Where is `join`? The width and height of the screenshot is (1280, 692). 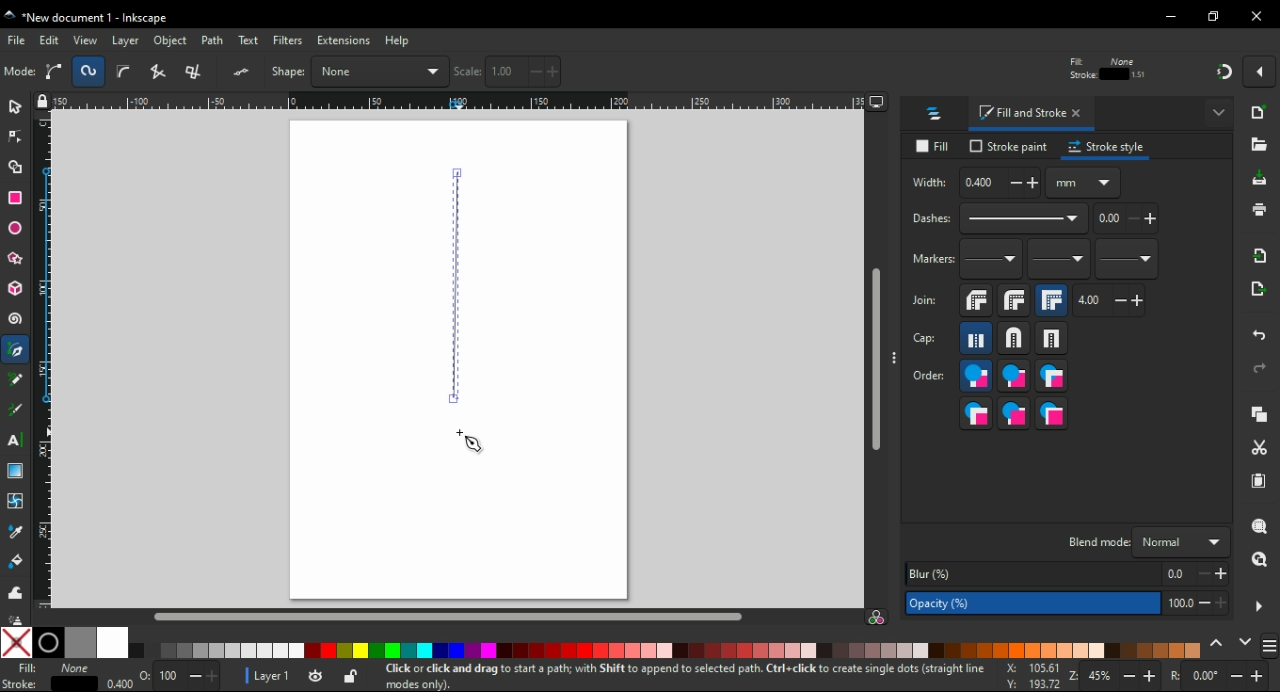
join is located at coordinates (924, 300).